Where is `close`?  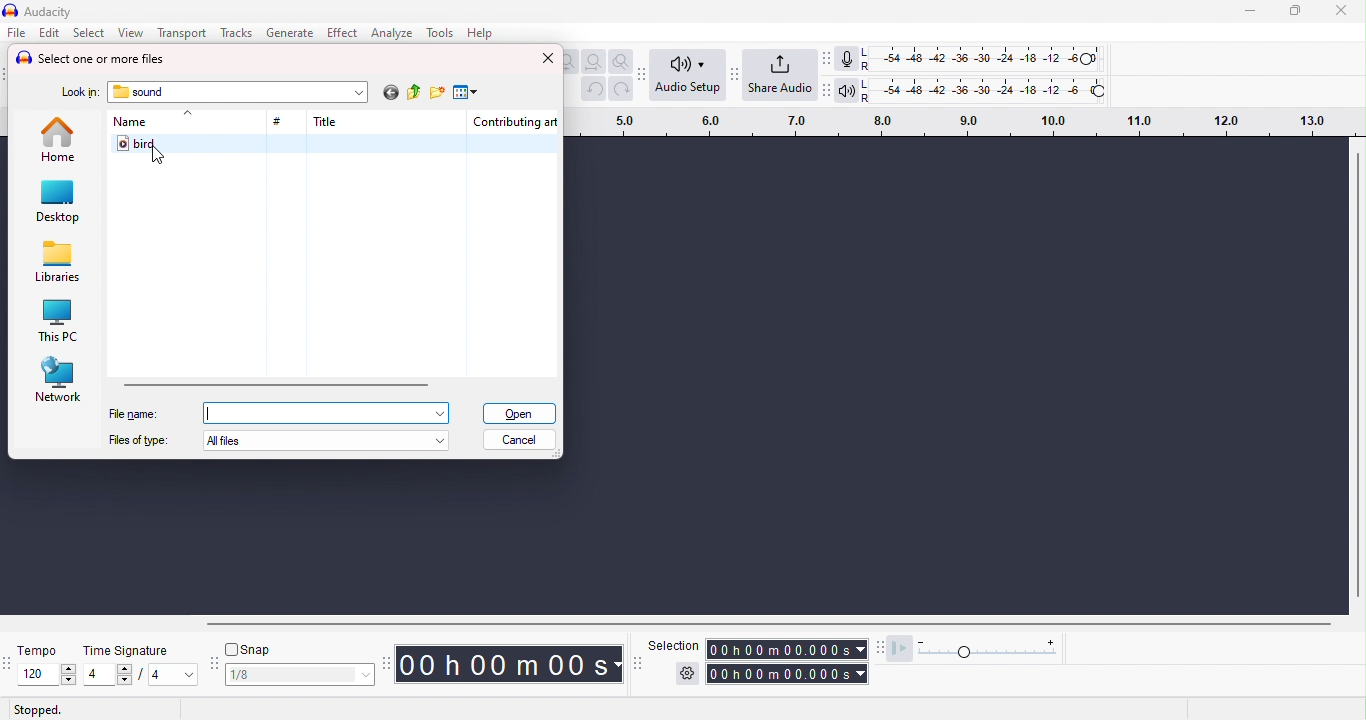
close is located at coordinates (1341, 11).